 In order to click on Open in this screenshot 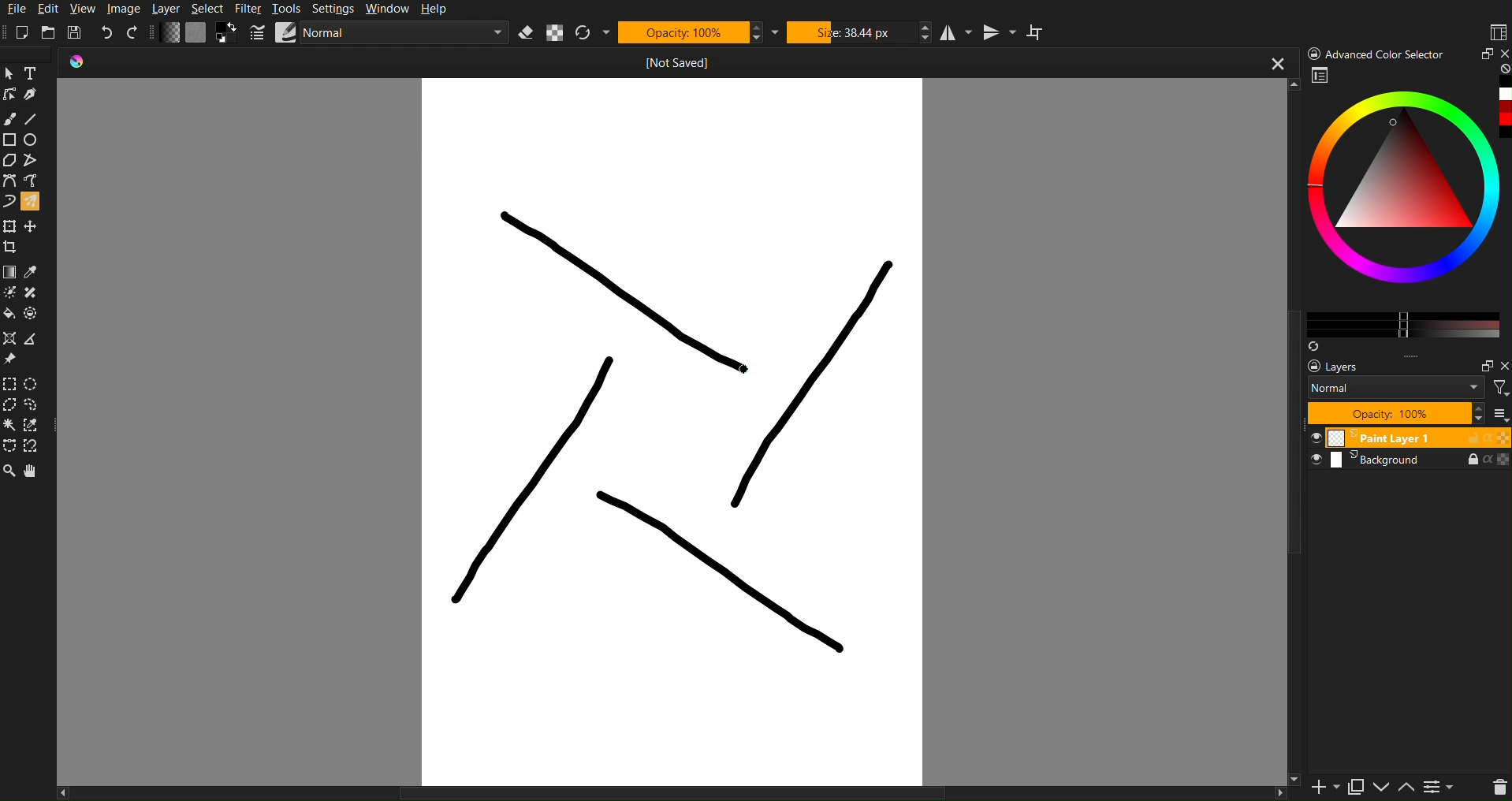, I will do `click(48, 31)`.